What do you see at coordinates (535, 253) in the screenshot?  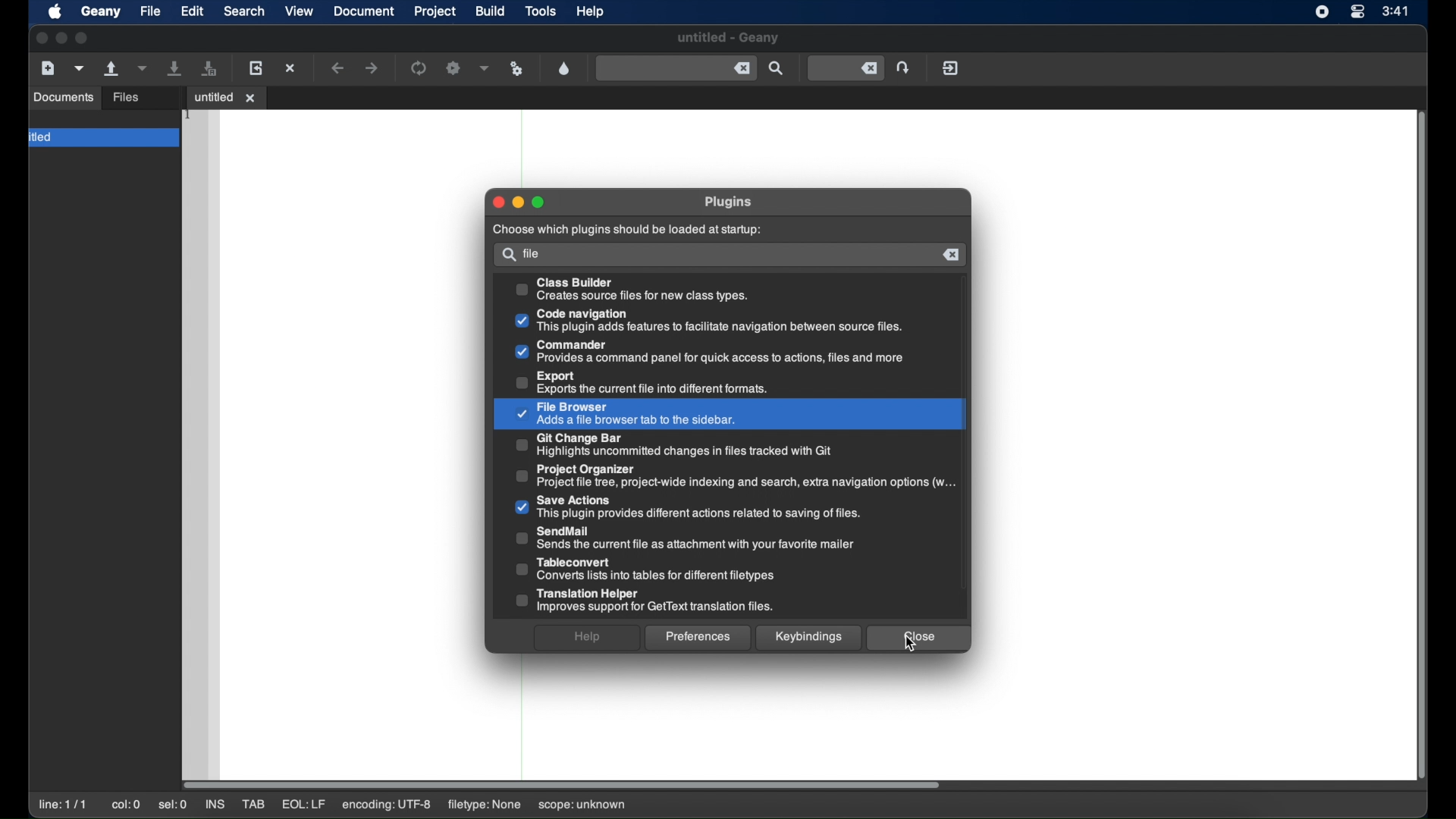 I see `file` at bounding box center [535, 253].